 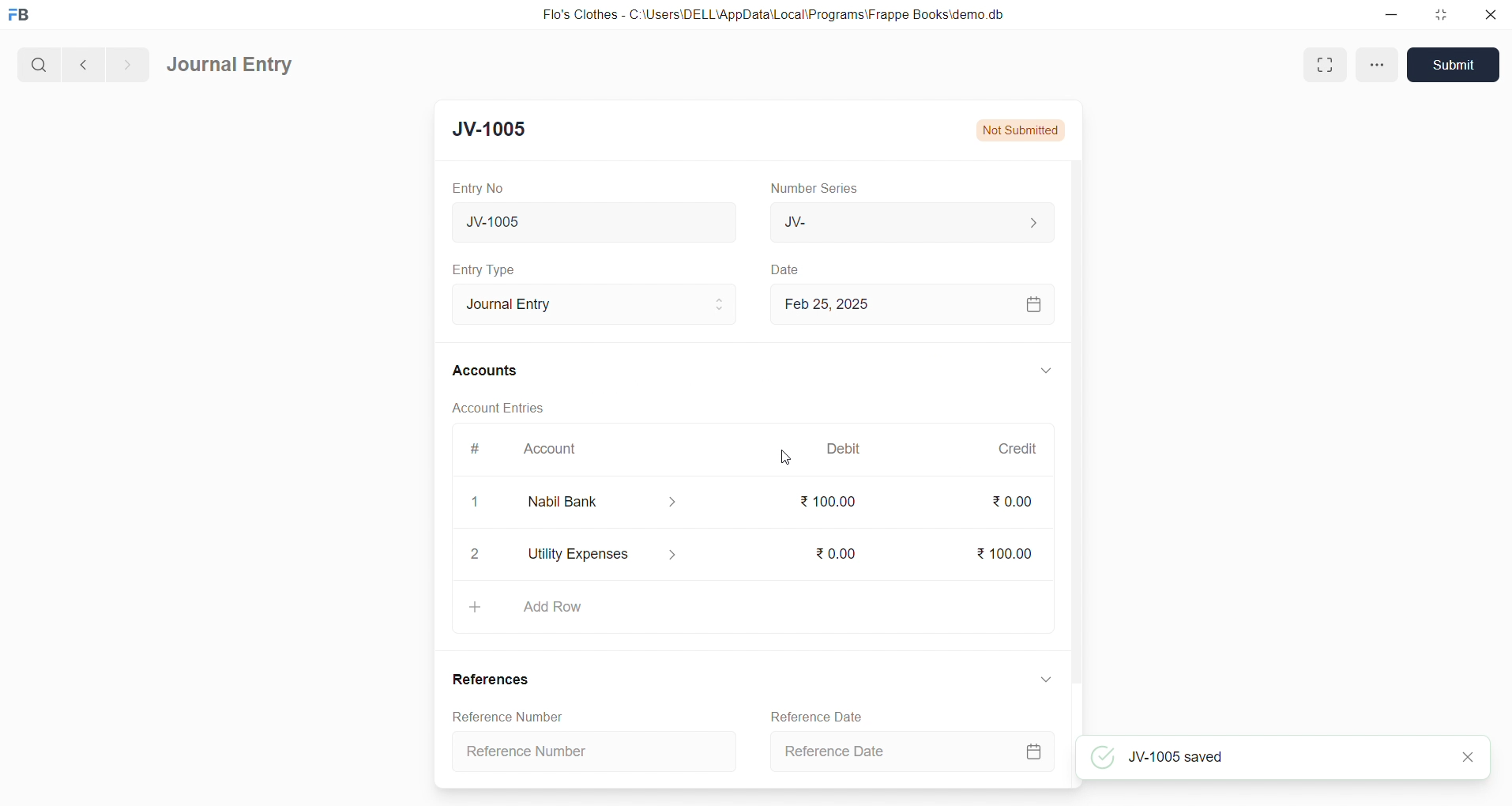 I want to click on more options, so click(x=1377, y=65).